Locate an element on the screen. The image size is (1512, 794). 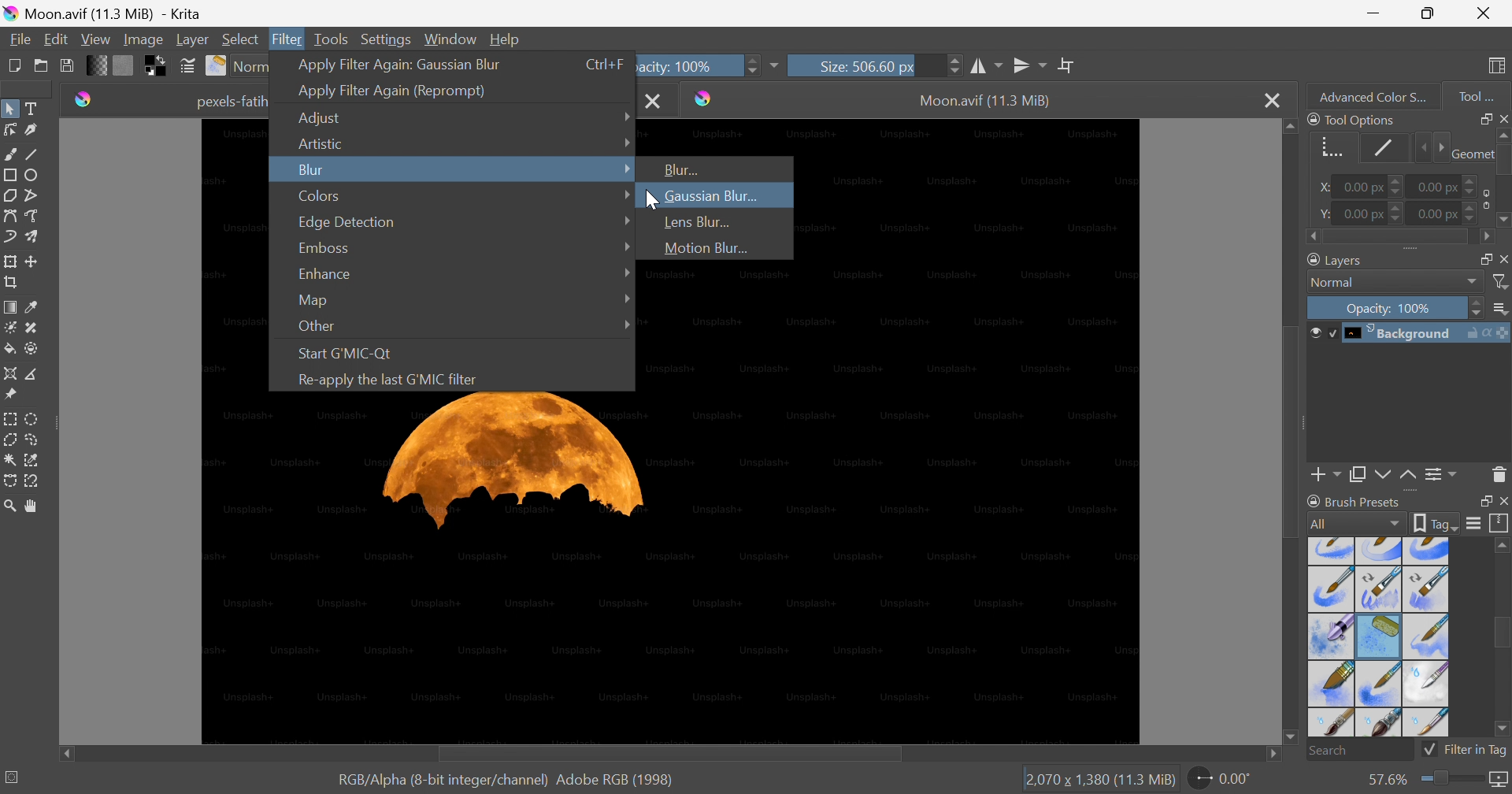
Blur is located at coordinates (312, 169).